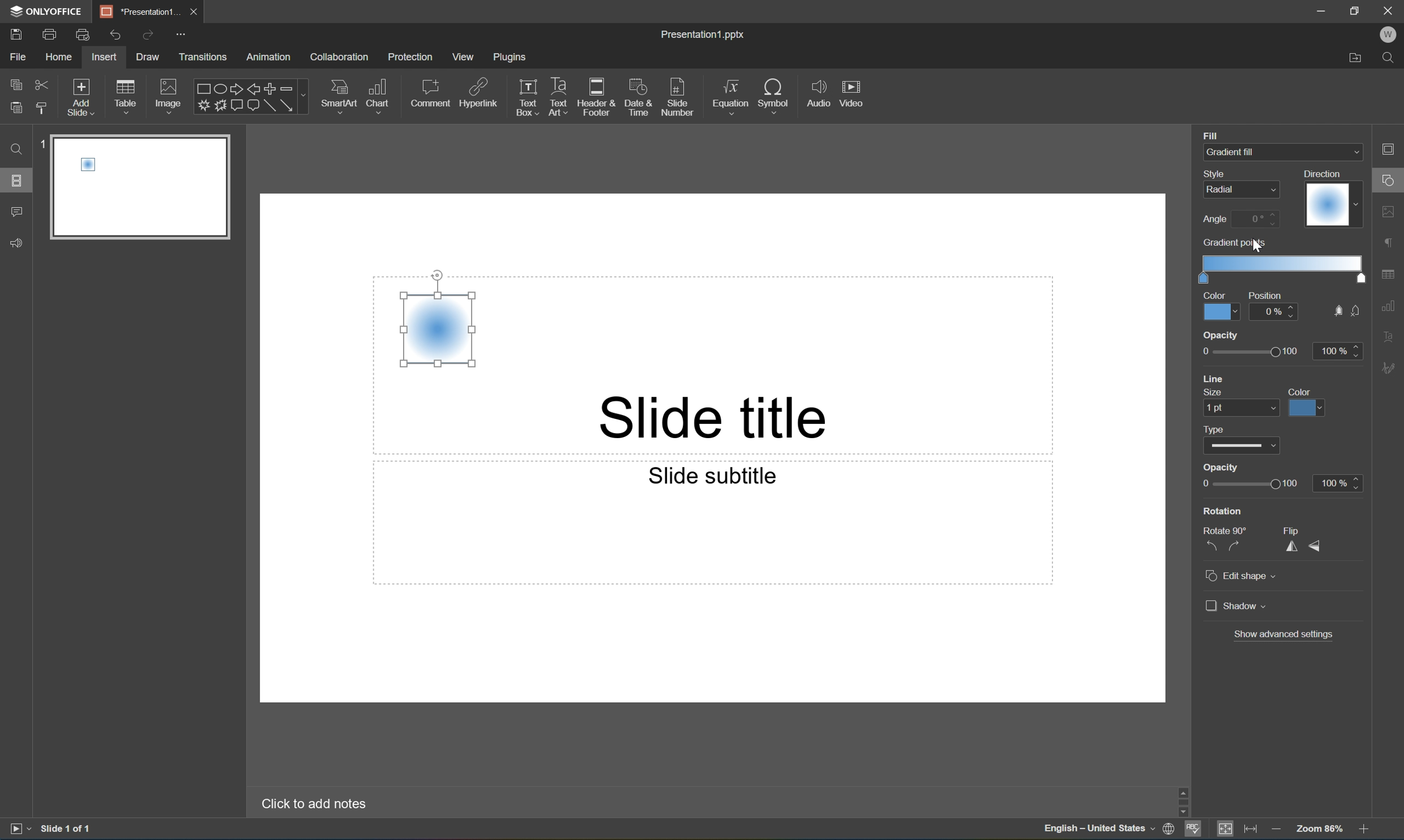 Image resolution: width=1404 pixels, height=840 pixels. Describe the element at coordinates (1244, 405) in the screenshot. I see `size` at that location.